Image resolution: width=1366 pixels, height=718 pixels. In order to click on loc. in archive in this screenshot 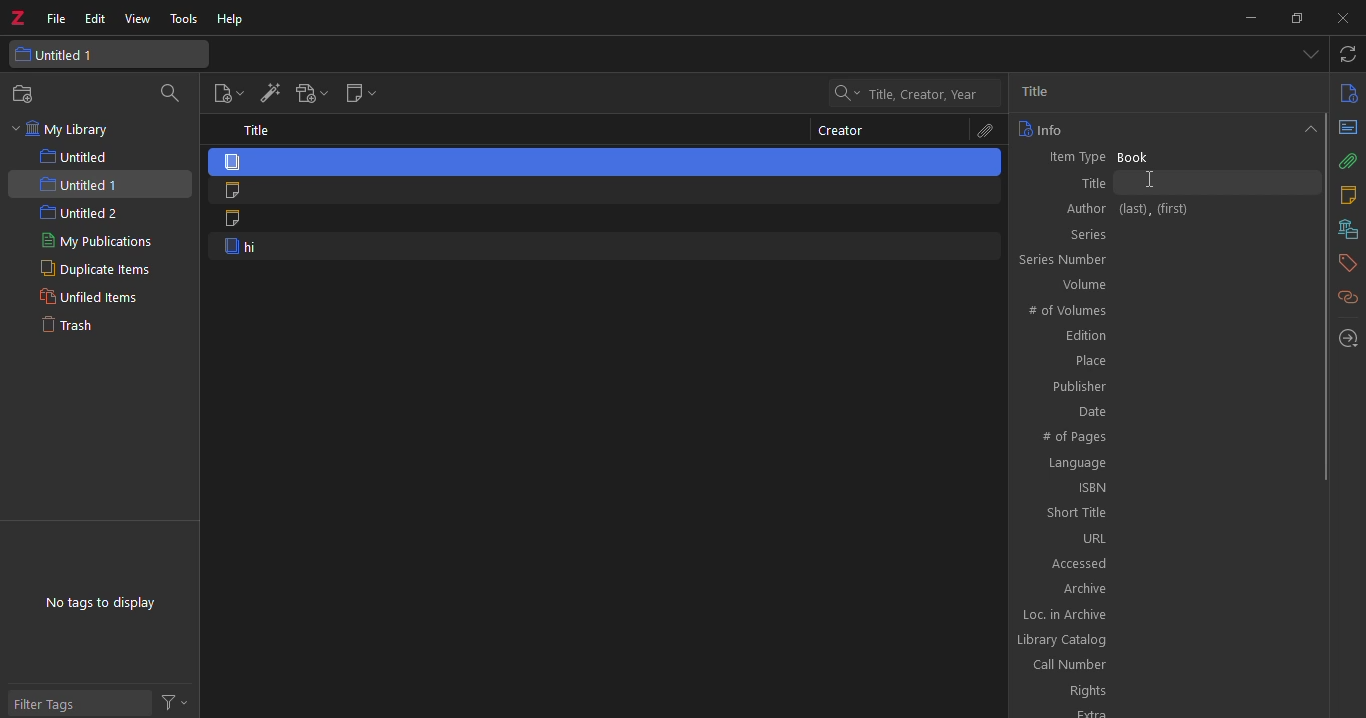, I will do `click(1165, 614)`.